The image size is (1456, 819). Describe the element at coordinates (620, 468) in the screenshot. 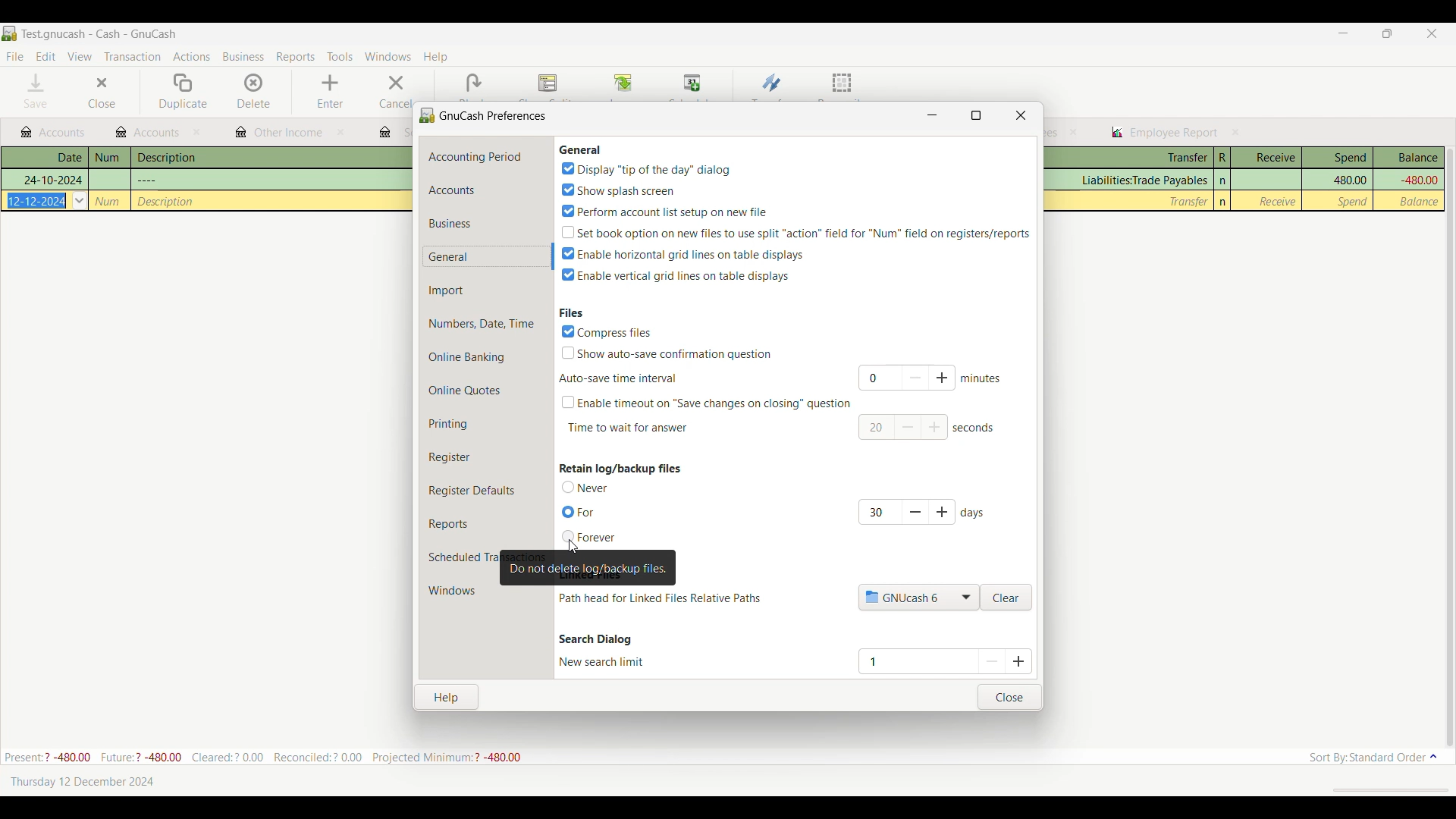

I see `Section title` at that location.